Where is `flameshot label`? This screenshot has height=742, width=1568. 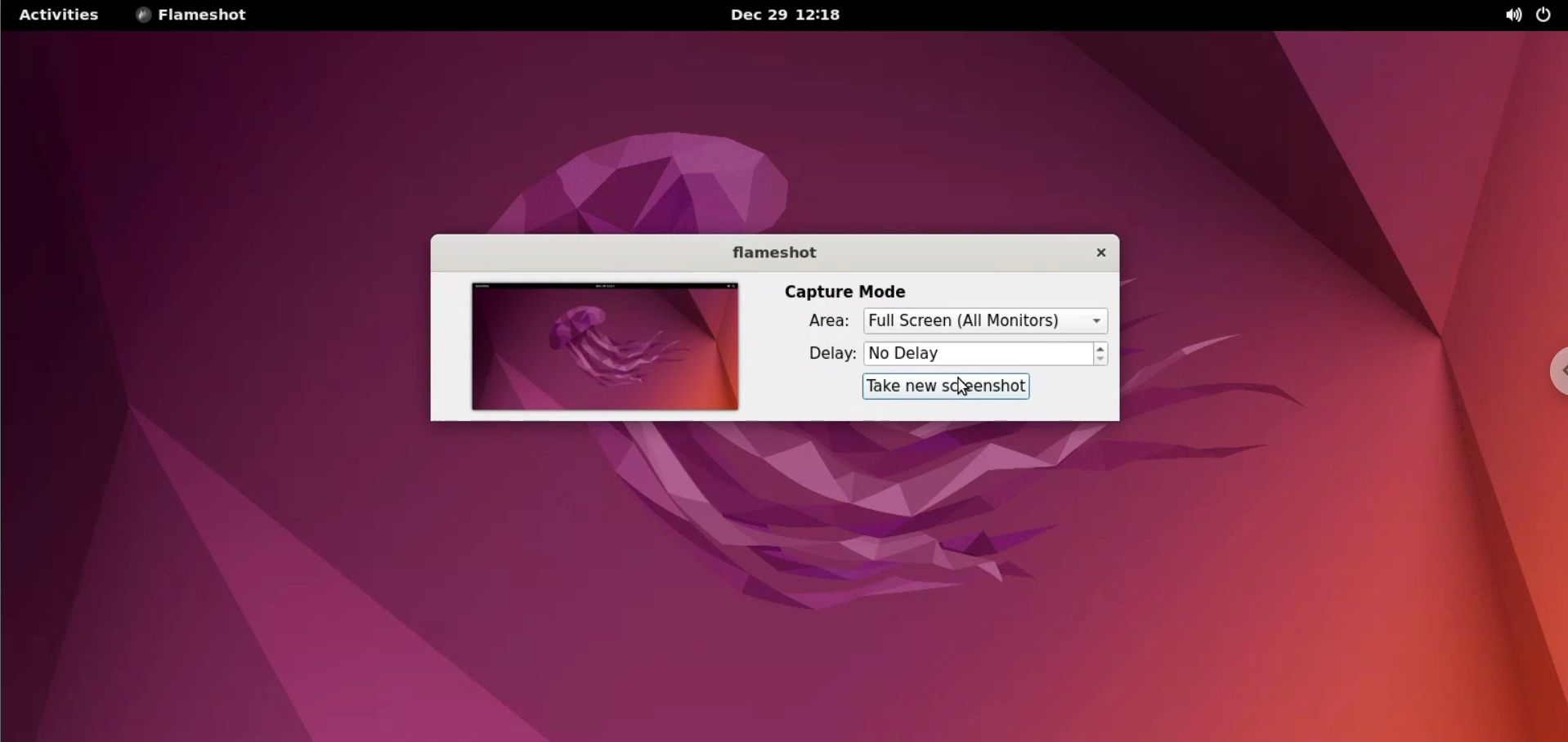 flameshot label is located at coordinates (770, 254).